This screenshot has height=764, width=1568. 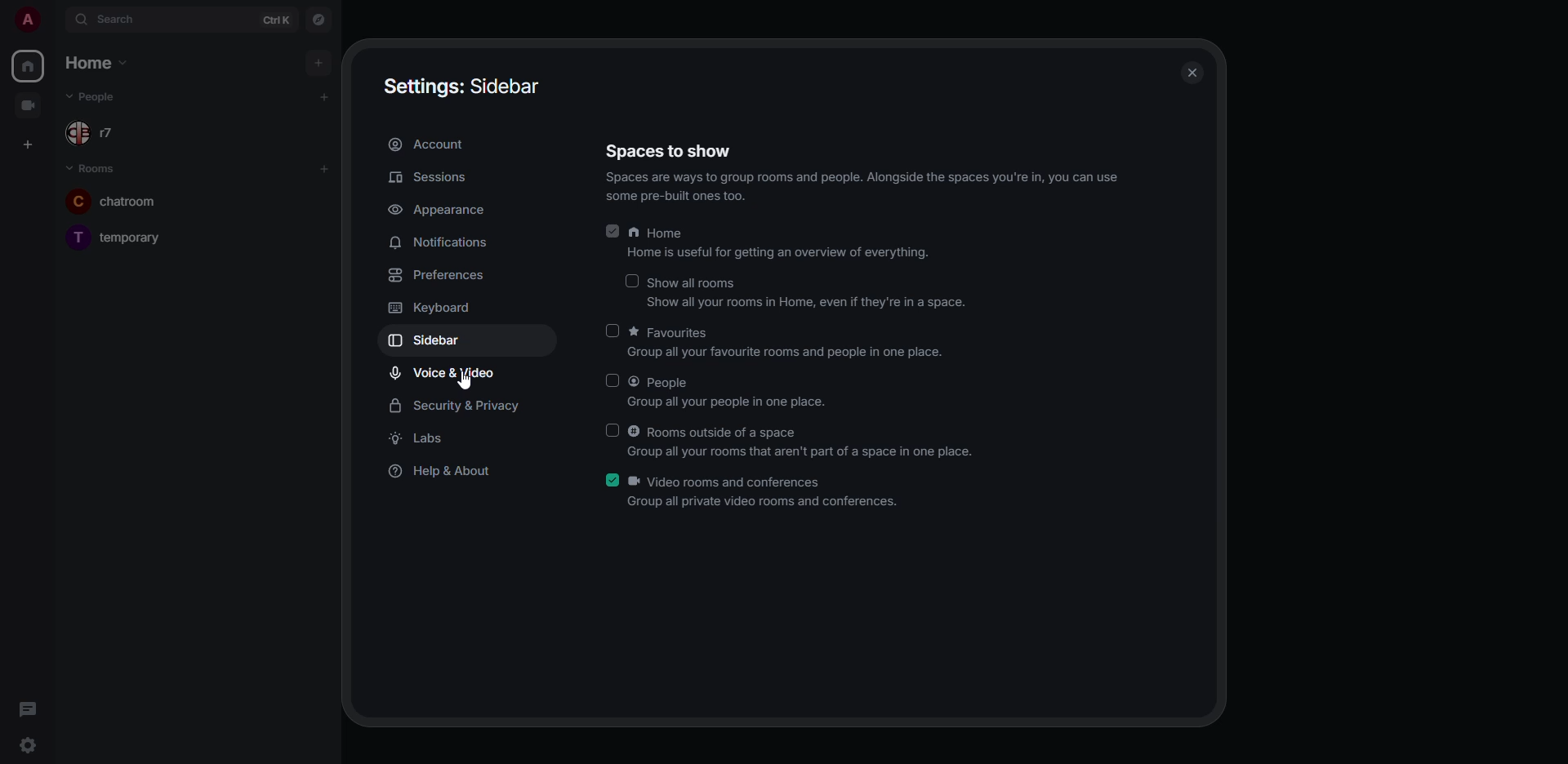 What do you see at coordinates (324, 169) in the screenshot?
I see `add` at bounding box center [324, 169].